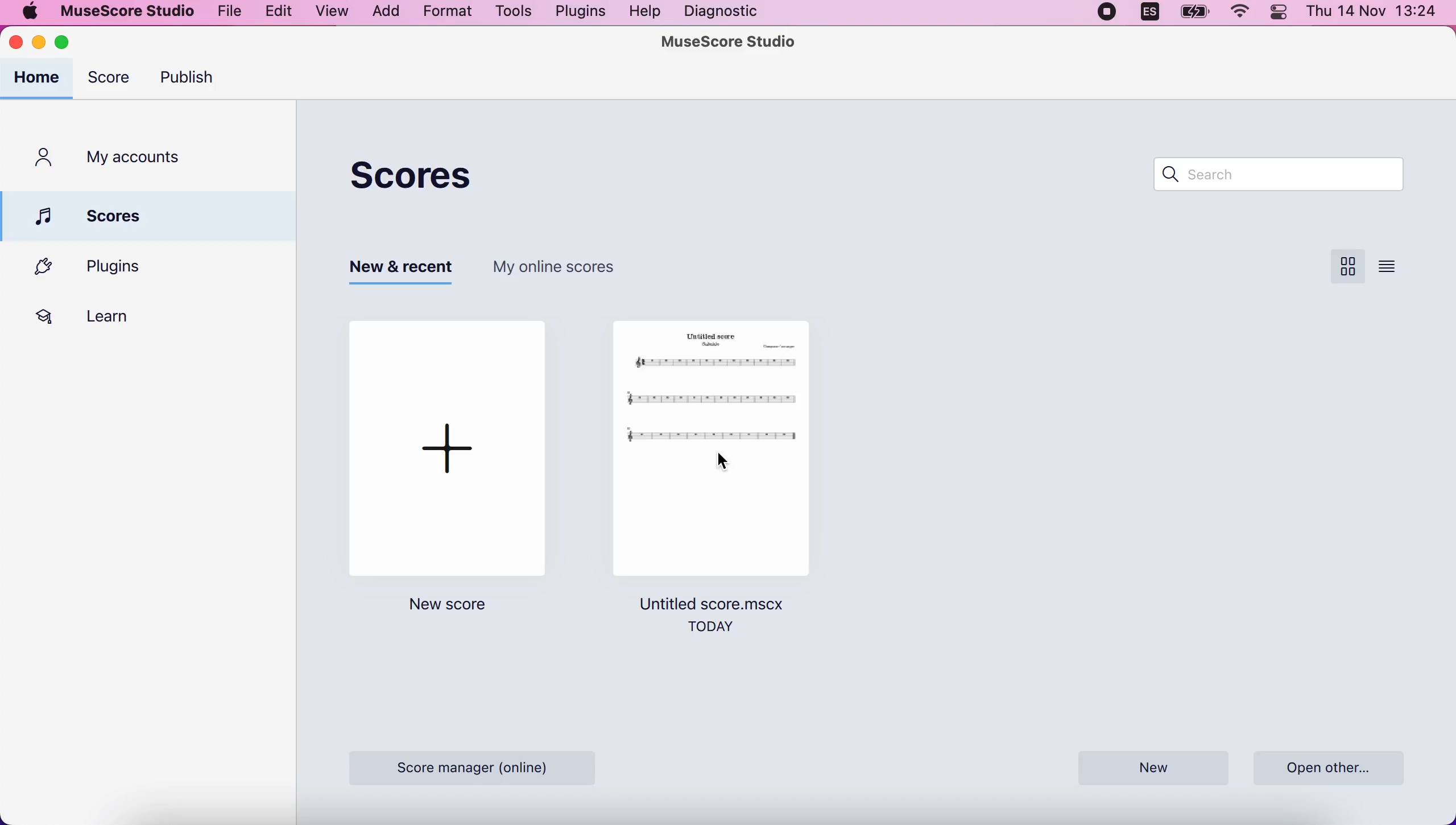  Describe the element at coordinates (479, 766) in the screenshot. I see `score manager (online)` at that location.